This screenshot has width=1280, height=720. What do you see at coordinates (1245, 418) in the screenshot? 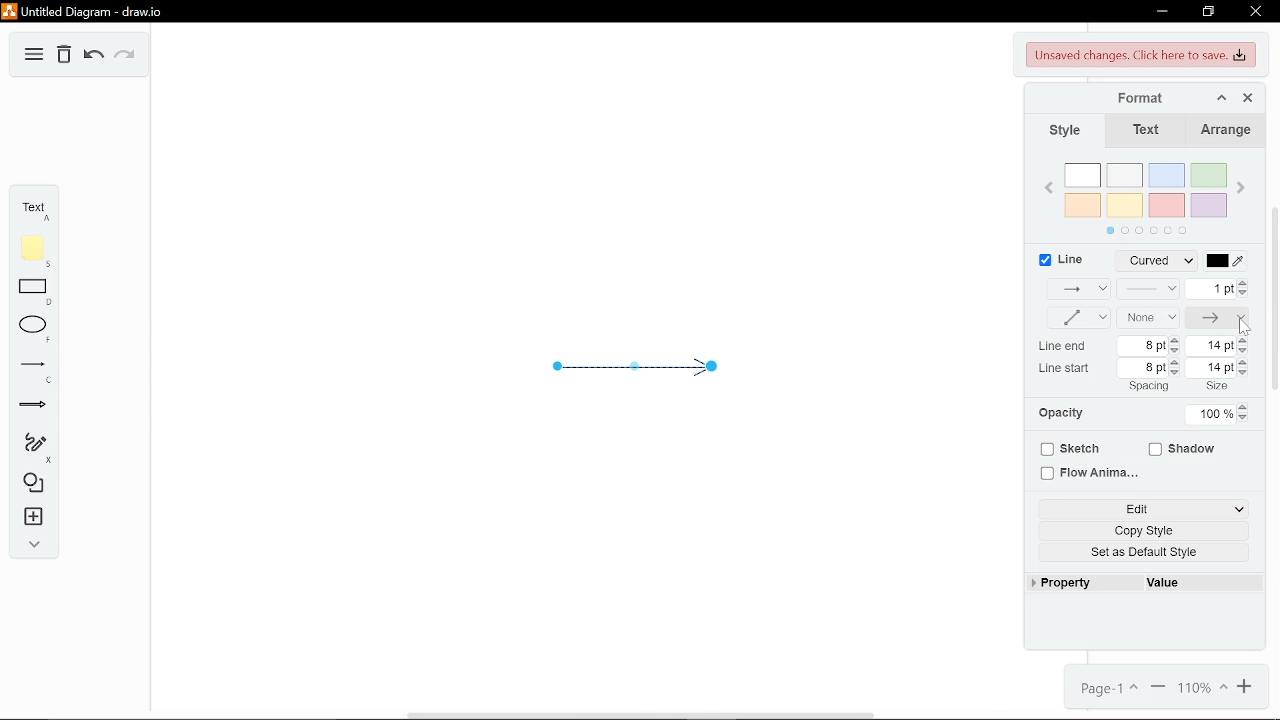
I see `Decrease opacity` at bounding box center [1245, 418].